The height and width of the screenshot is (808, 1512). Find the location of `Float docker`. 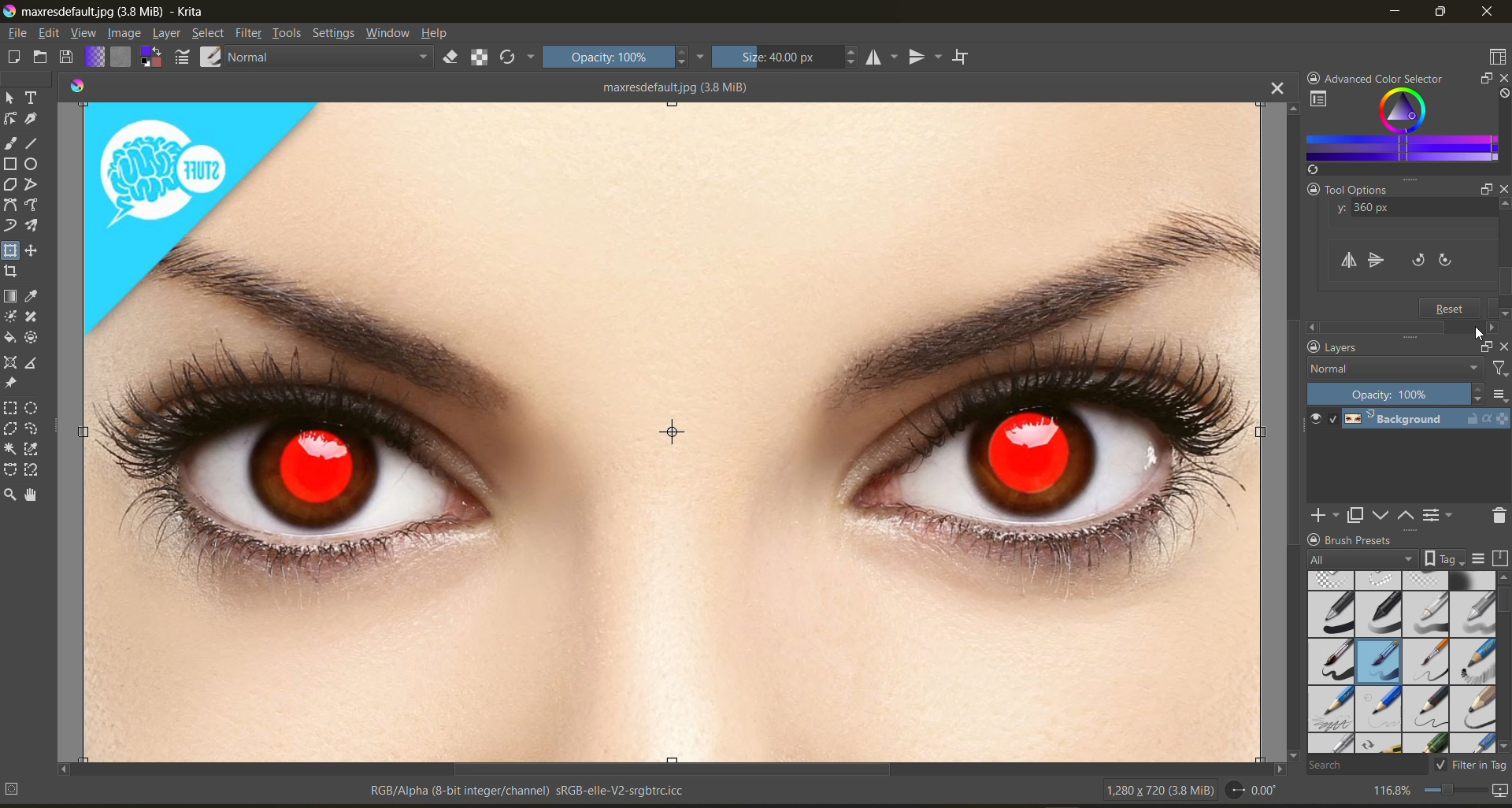

Float docker is located at coordinates (1477, 189).